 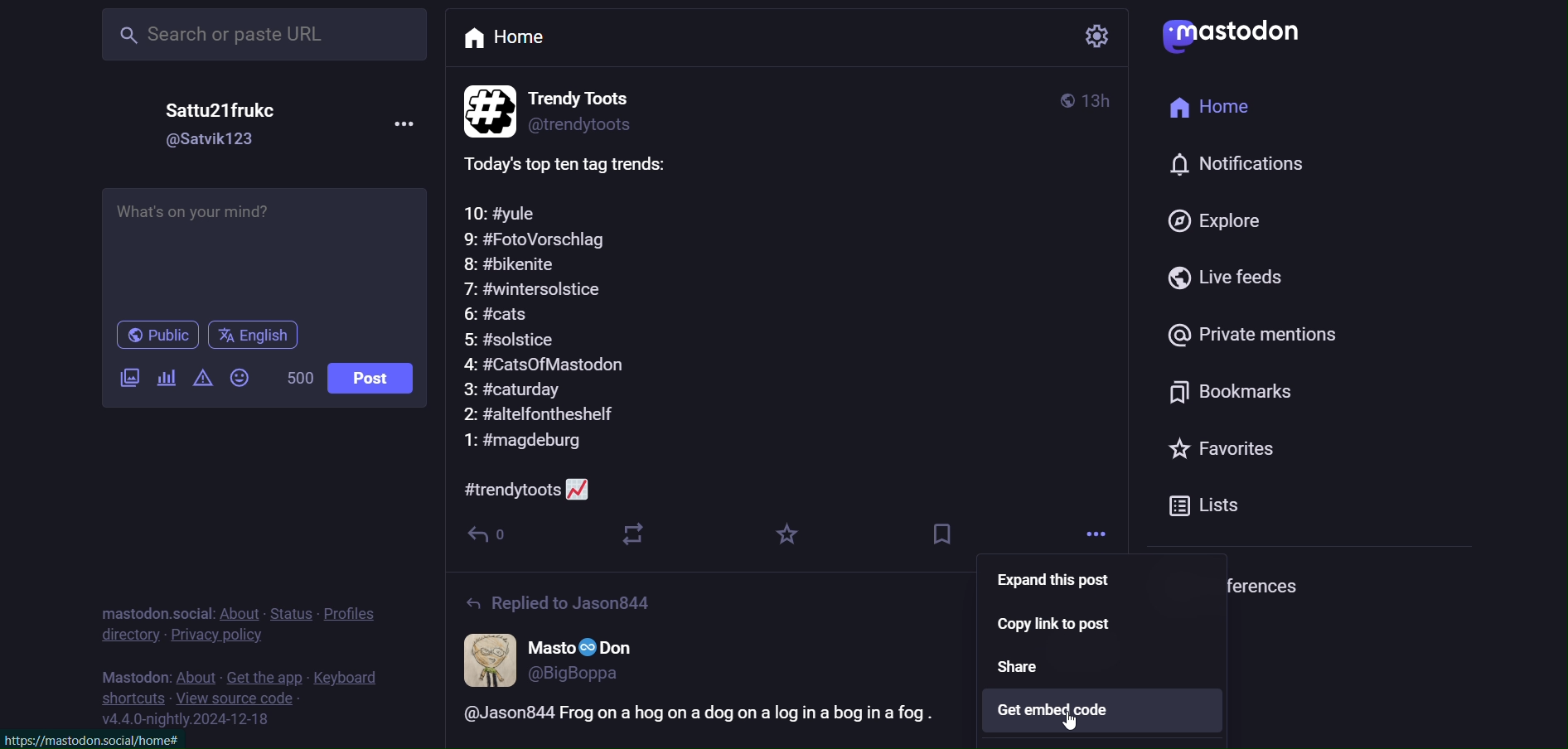 I want to click on favorite, so click(x=789, y=536).